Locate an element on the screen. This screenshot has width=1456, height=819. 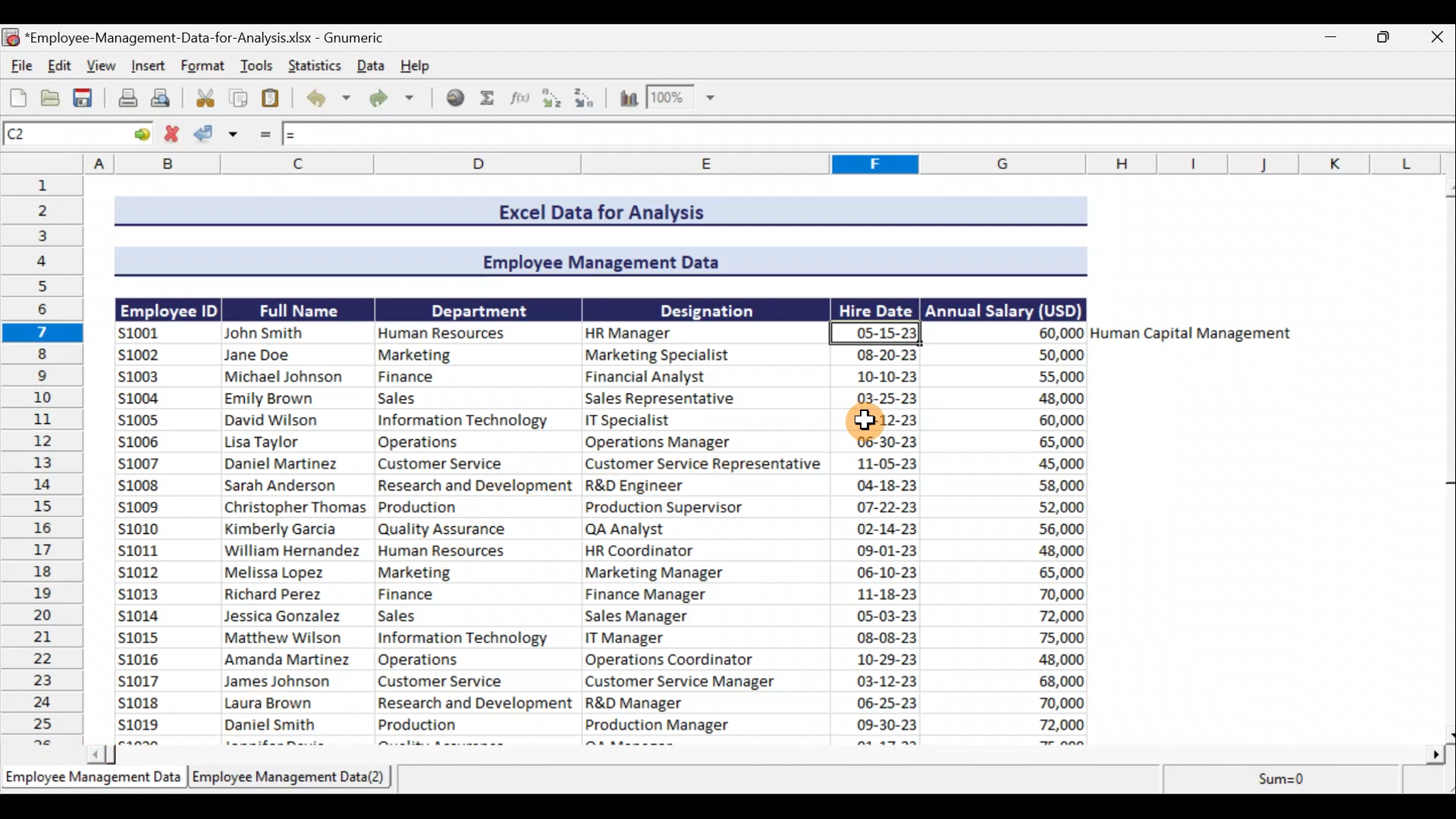
Sheet 2 is located at coordinates (297, 782).